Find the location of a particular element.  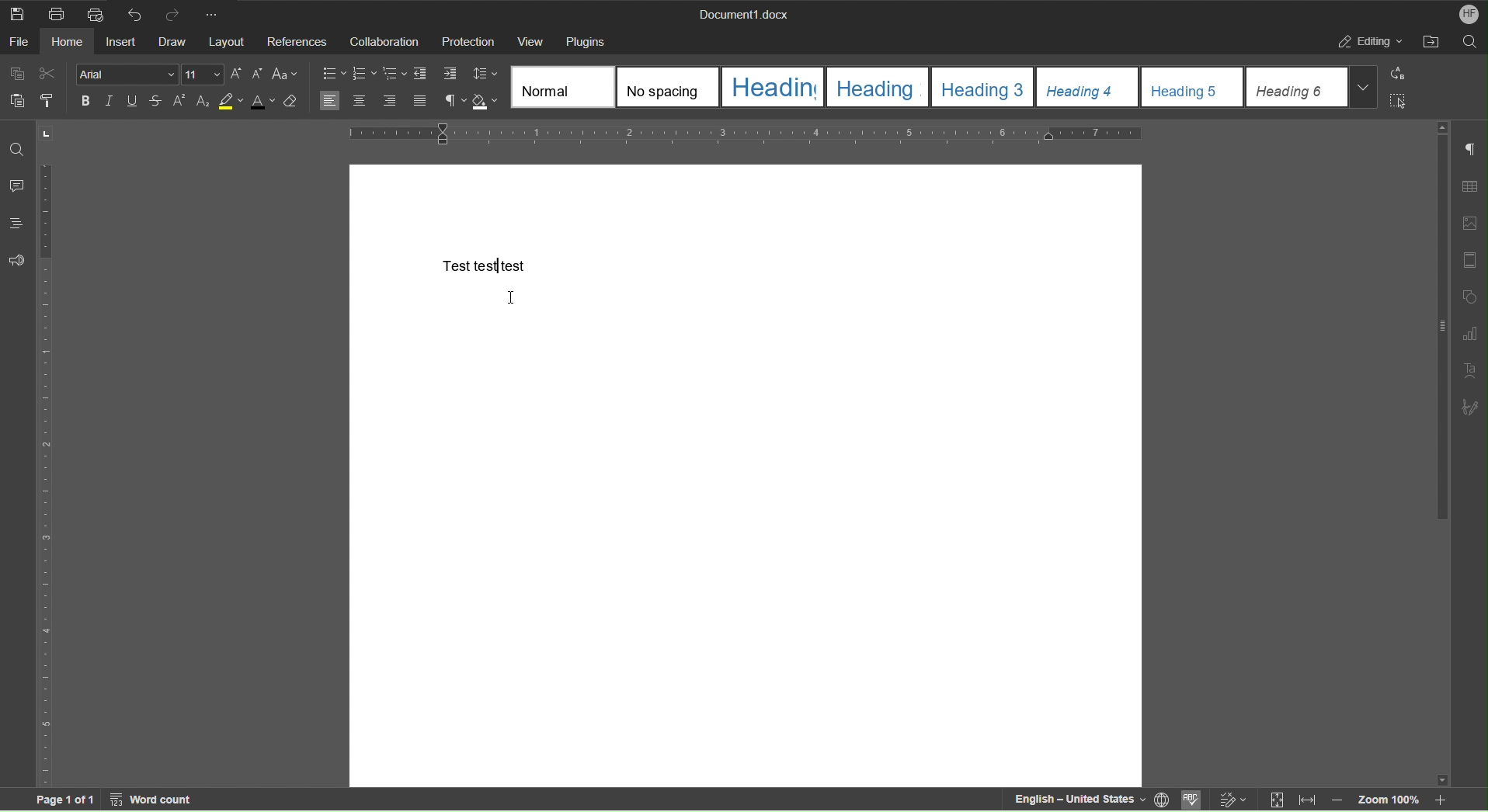

Font Case Options is located at coordinates (285, 75).